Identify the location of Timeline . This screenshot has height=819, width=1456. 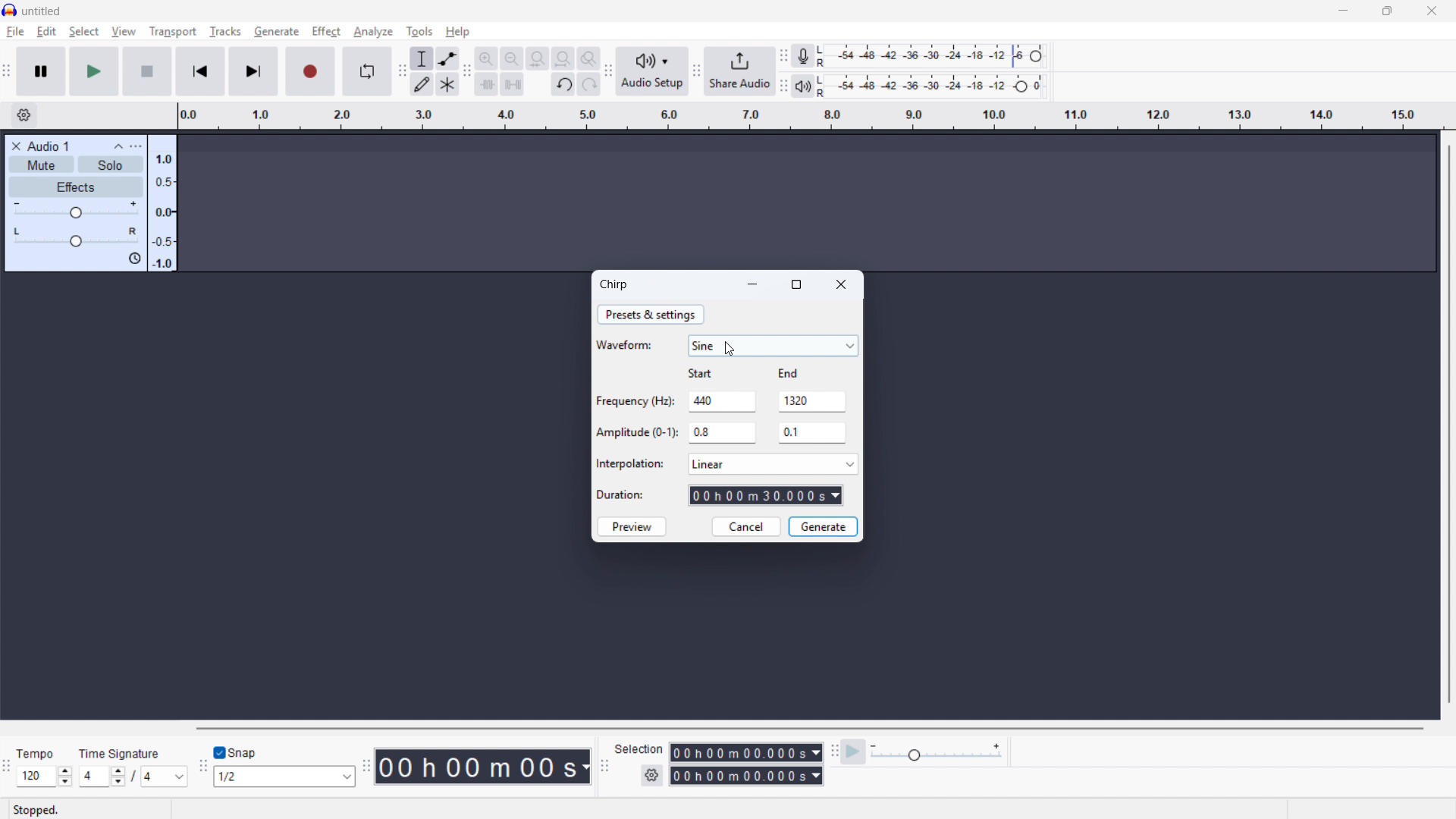
(810, 116).